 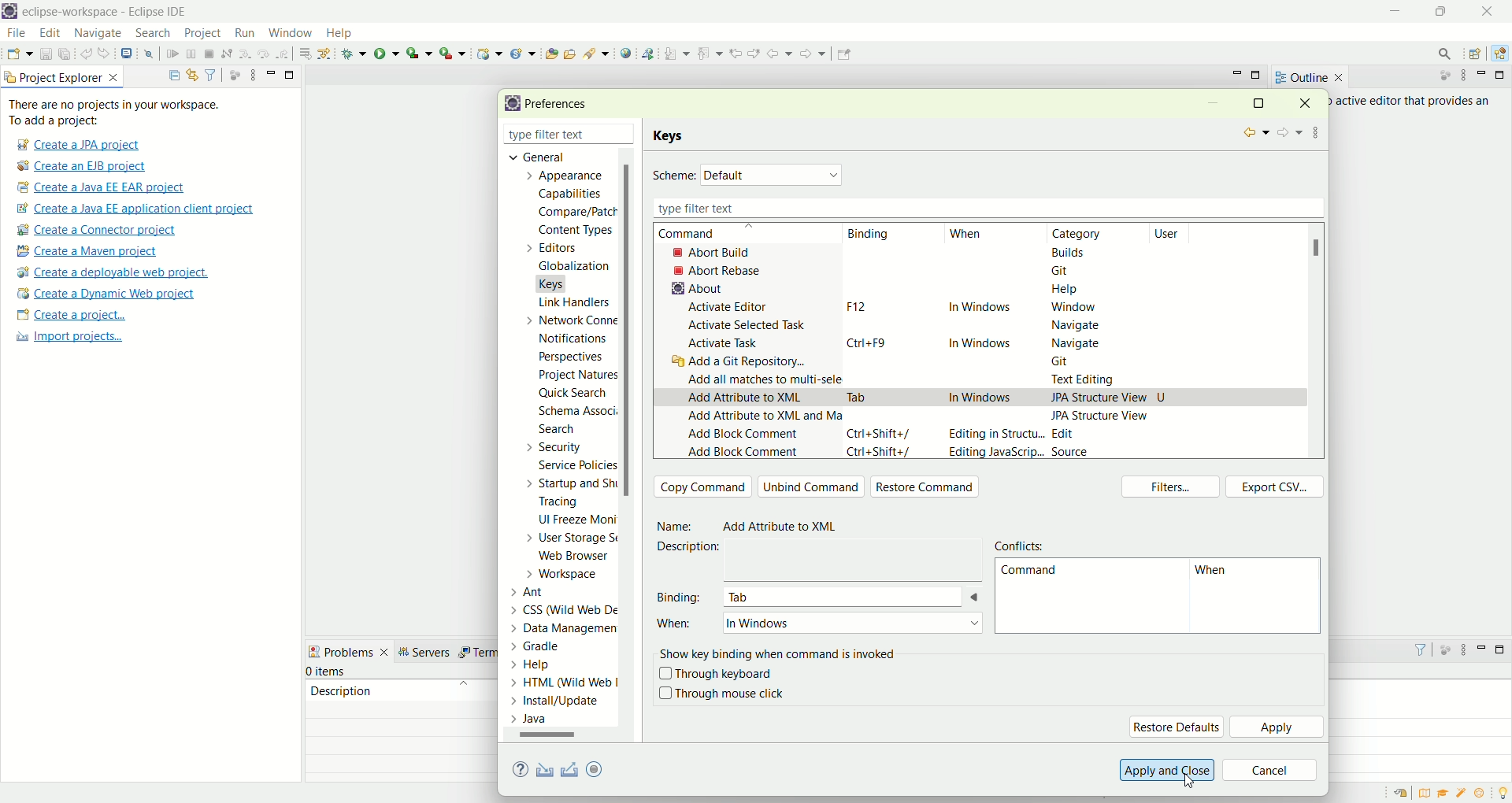 I want to click on add all matches to multi-selection, so click(x=762, y=378).